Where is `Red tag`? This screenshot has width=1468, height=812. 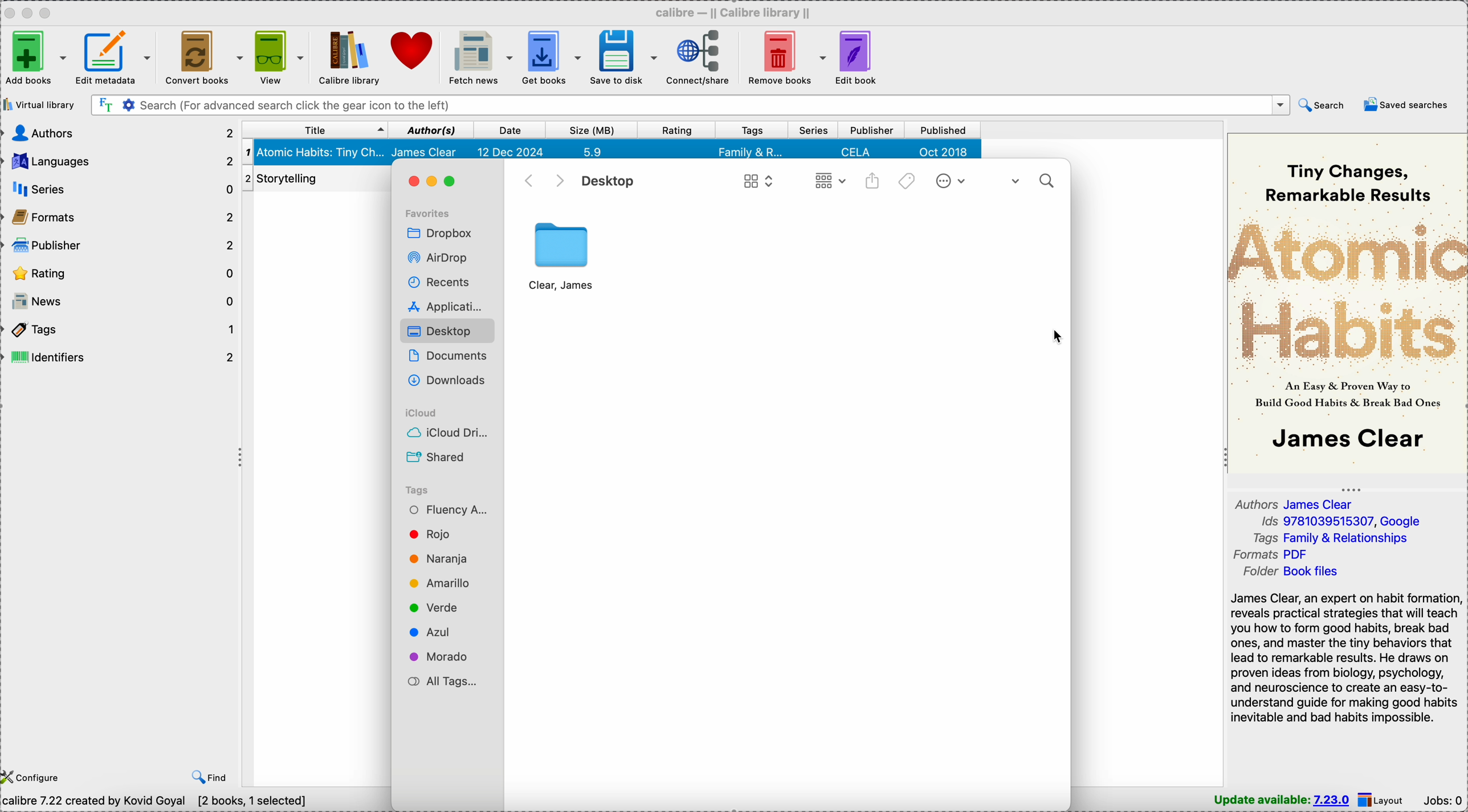
Red tag is located at coordinates (433, 533).